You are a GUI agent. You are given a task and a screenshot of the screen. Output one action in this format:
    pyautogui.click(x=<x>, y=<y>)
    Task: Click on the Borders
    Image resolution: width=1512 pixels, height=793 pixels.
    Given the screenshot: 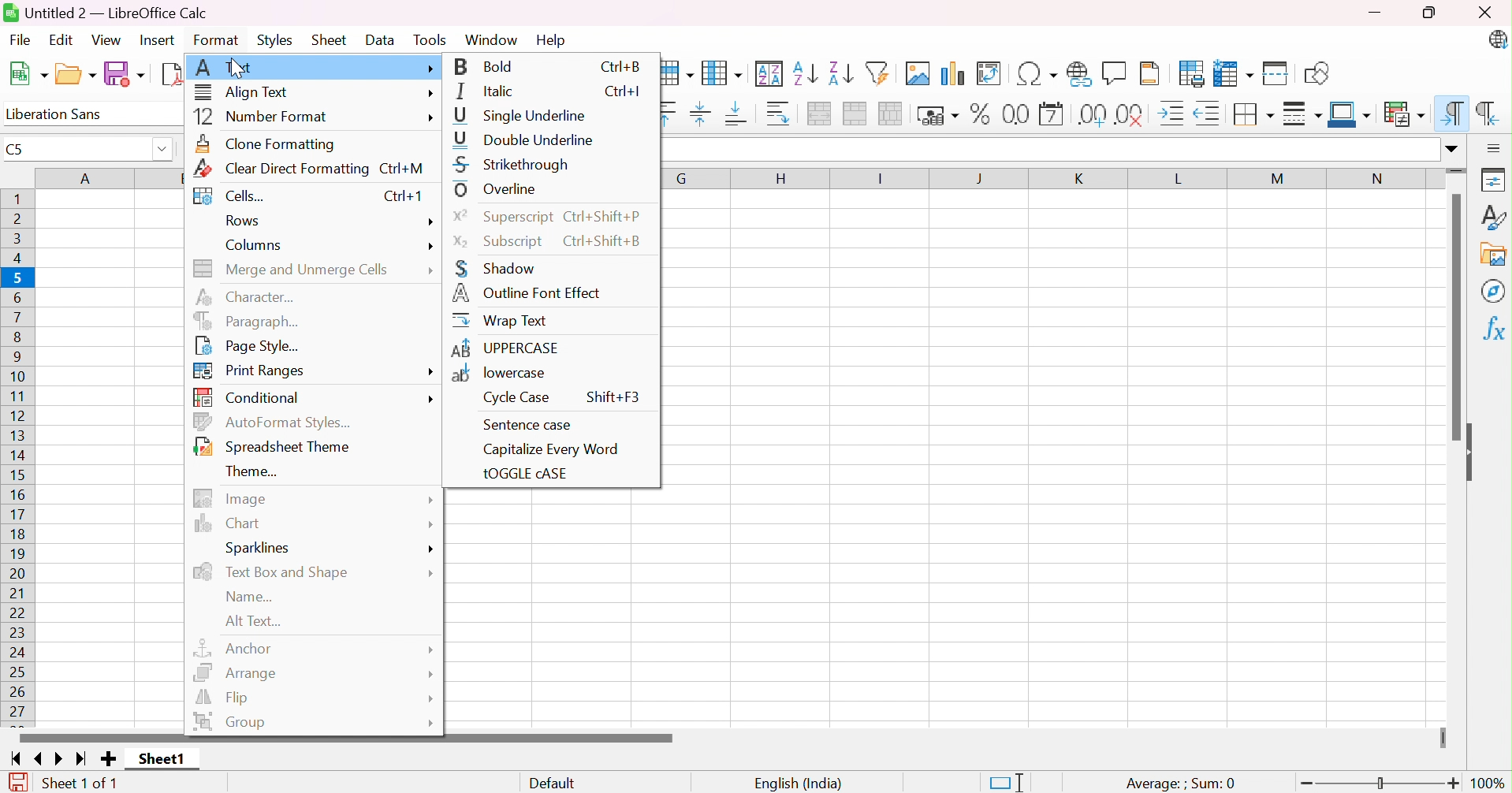 What is the action you would take?
    pyautogui.click(x=1254, y=116)
    